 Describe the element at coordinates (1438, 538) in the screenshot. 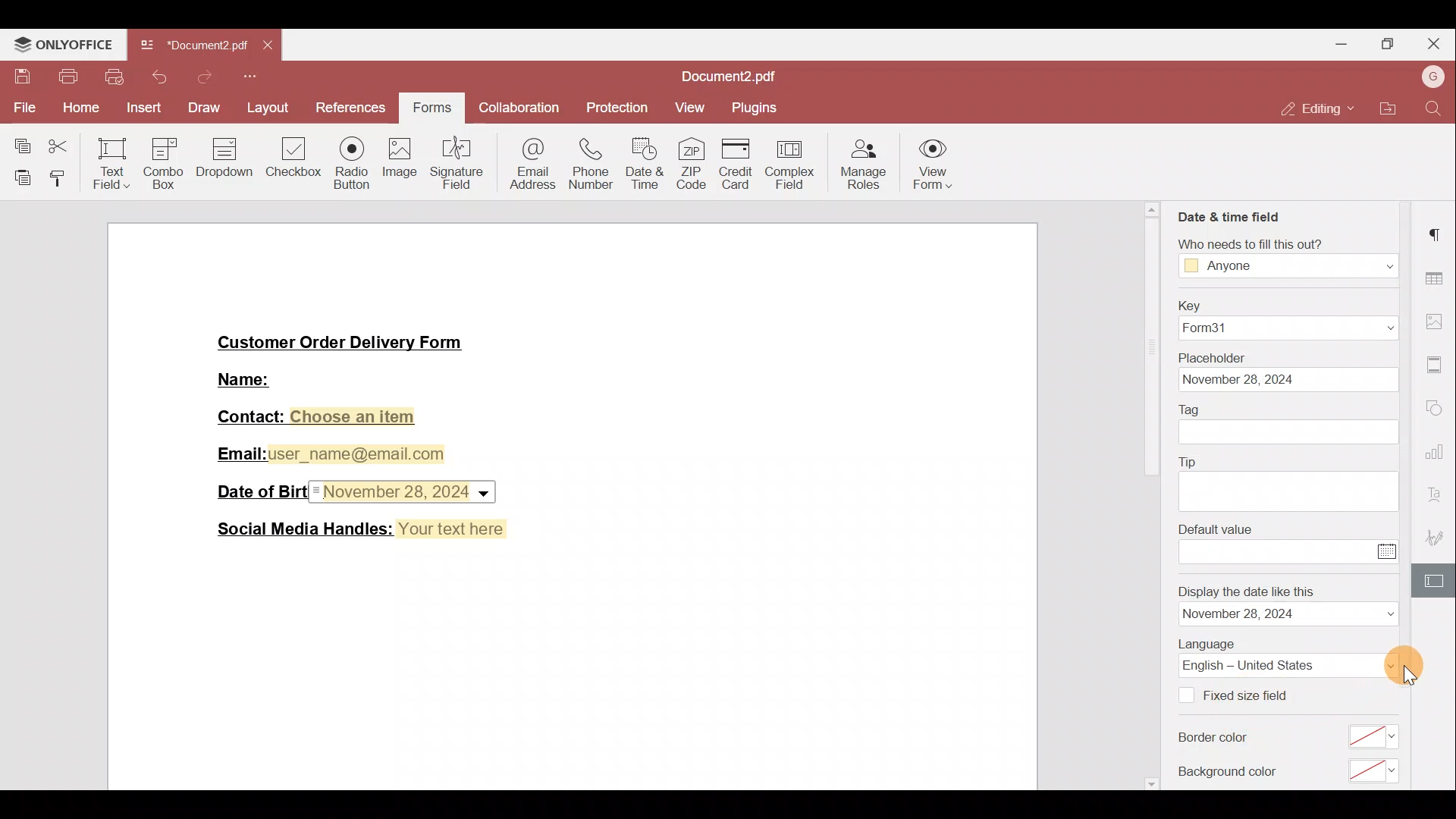

I see `Signature settings` at that location.